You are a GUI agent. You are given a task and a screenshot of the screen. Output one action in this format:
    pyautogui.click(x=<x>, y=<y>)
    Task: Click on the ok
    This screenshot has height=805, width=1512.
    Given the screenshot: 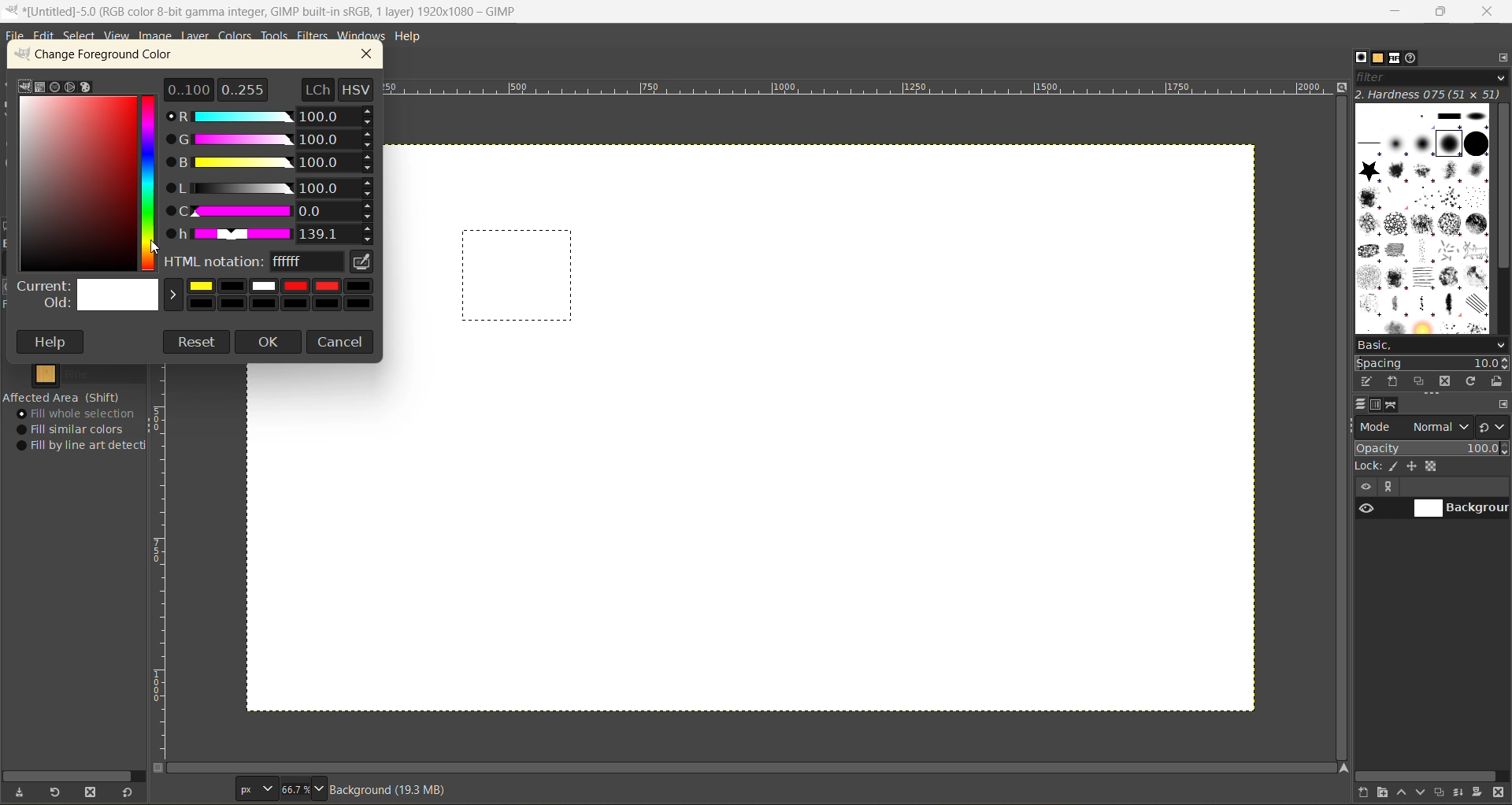 What is the action you would take?
    pyautogui.click(x=269, y=343)
    